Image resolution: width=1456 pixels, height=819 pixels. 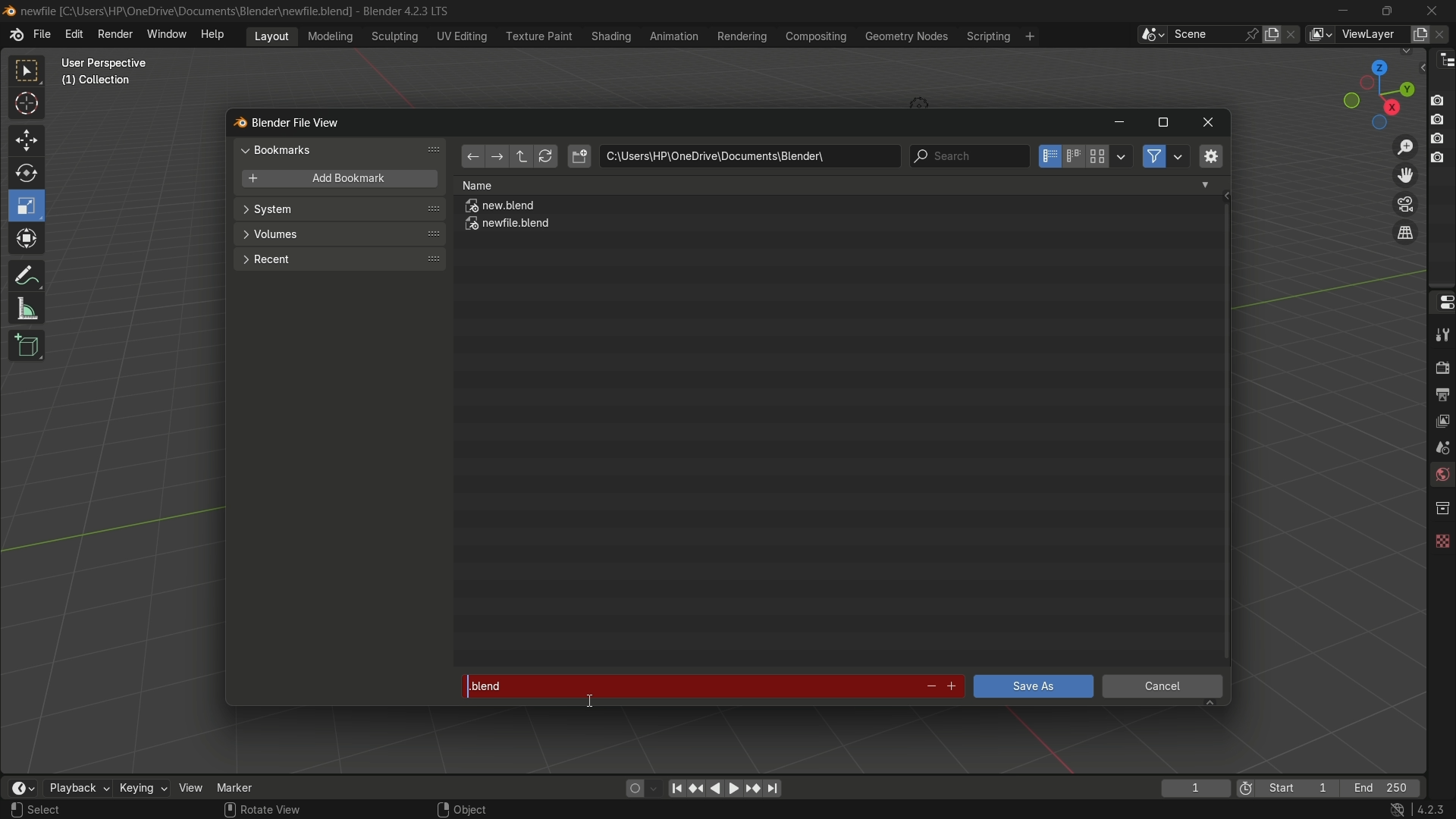 What do you see at coordinates (28, 71) in the screenshot?
I see `select box` at bounding box center [28, 71].